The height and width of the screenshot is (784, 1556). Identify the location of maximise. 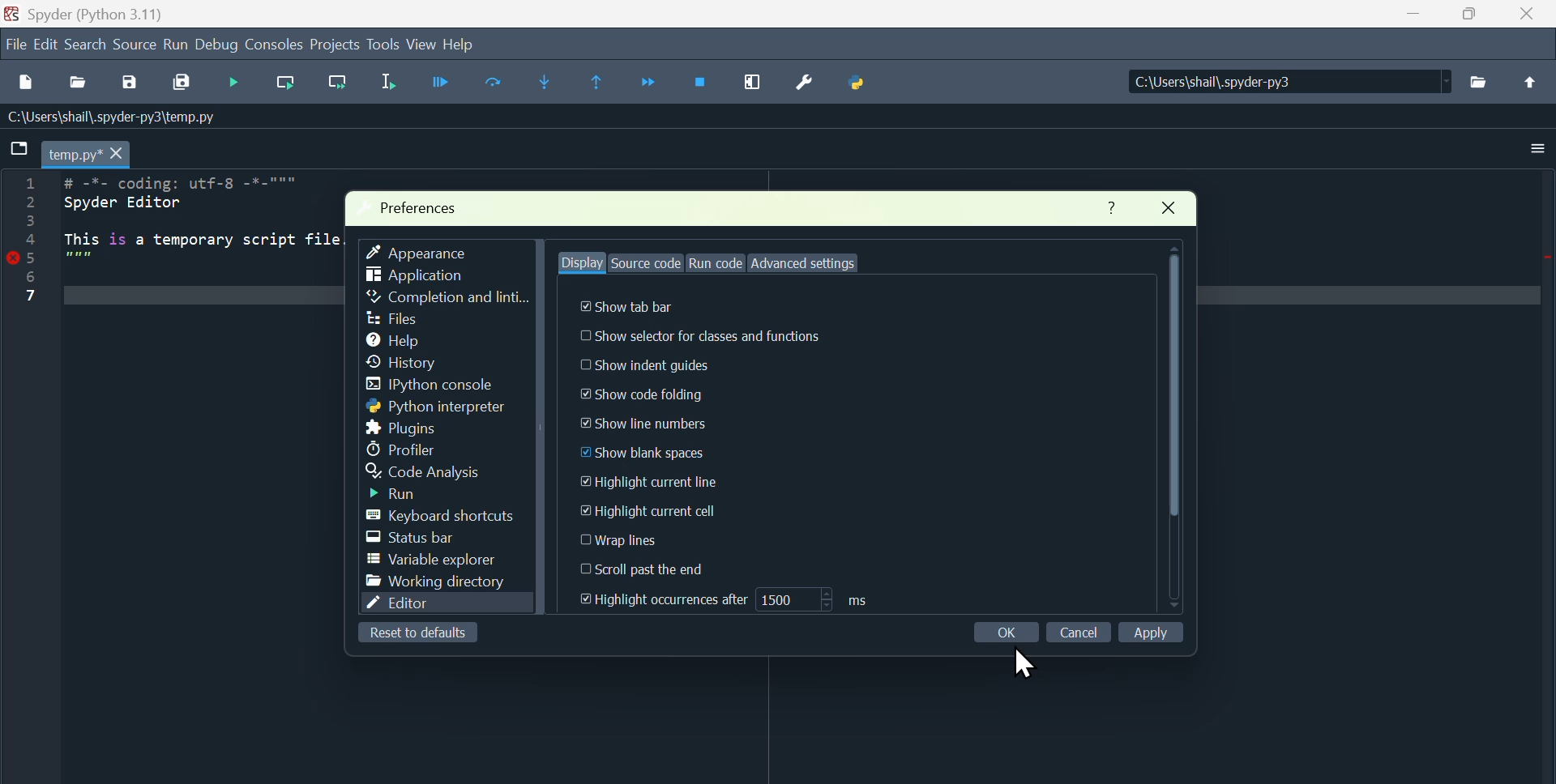
(1471, 17).